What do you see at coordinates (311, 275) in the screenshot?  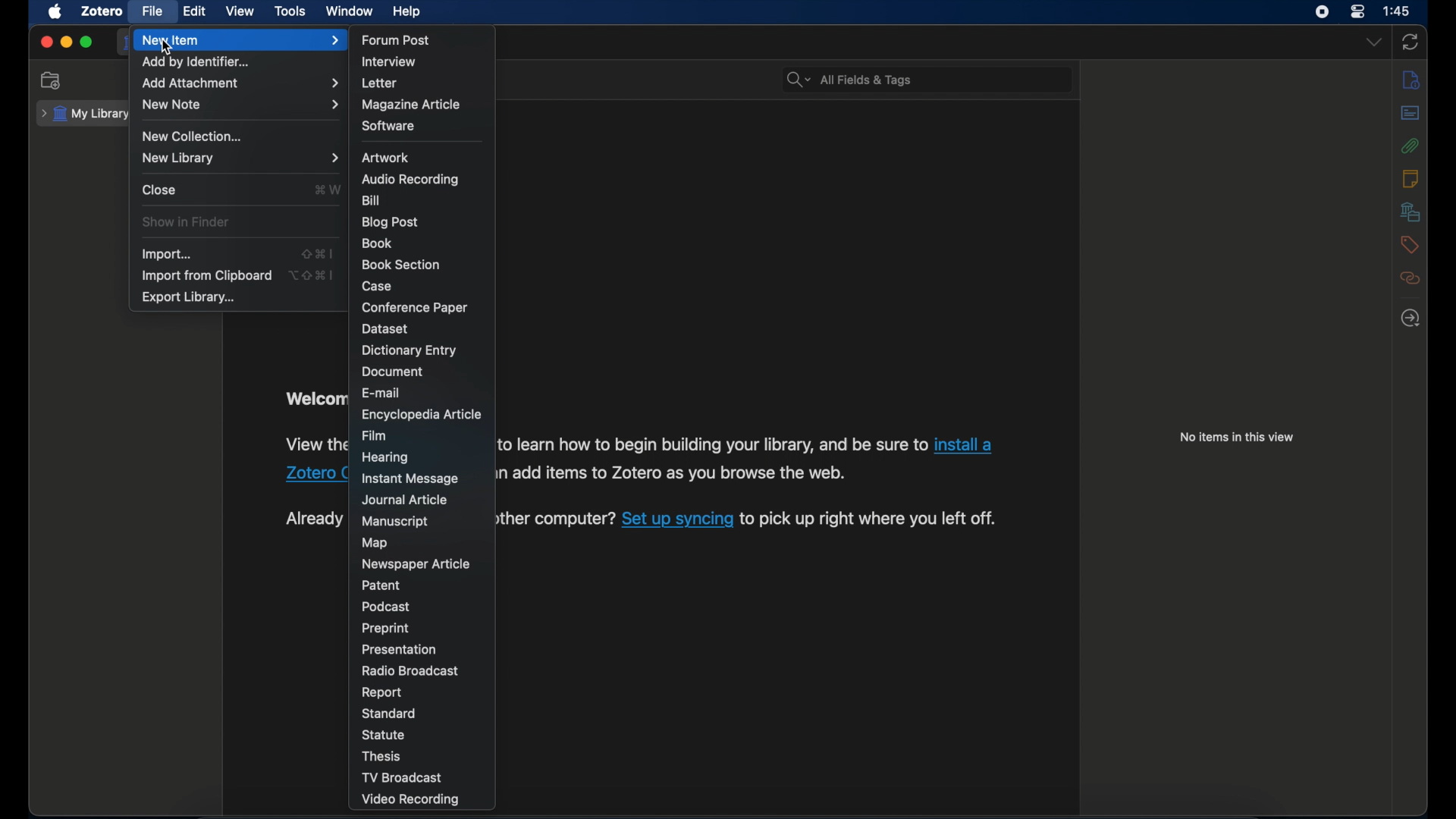 I see `Option + shift + command + I` at bounding box center [311, 275].